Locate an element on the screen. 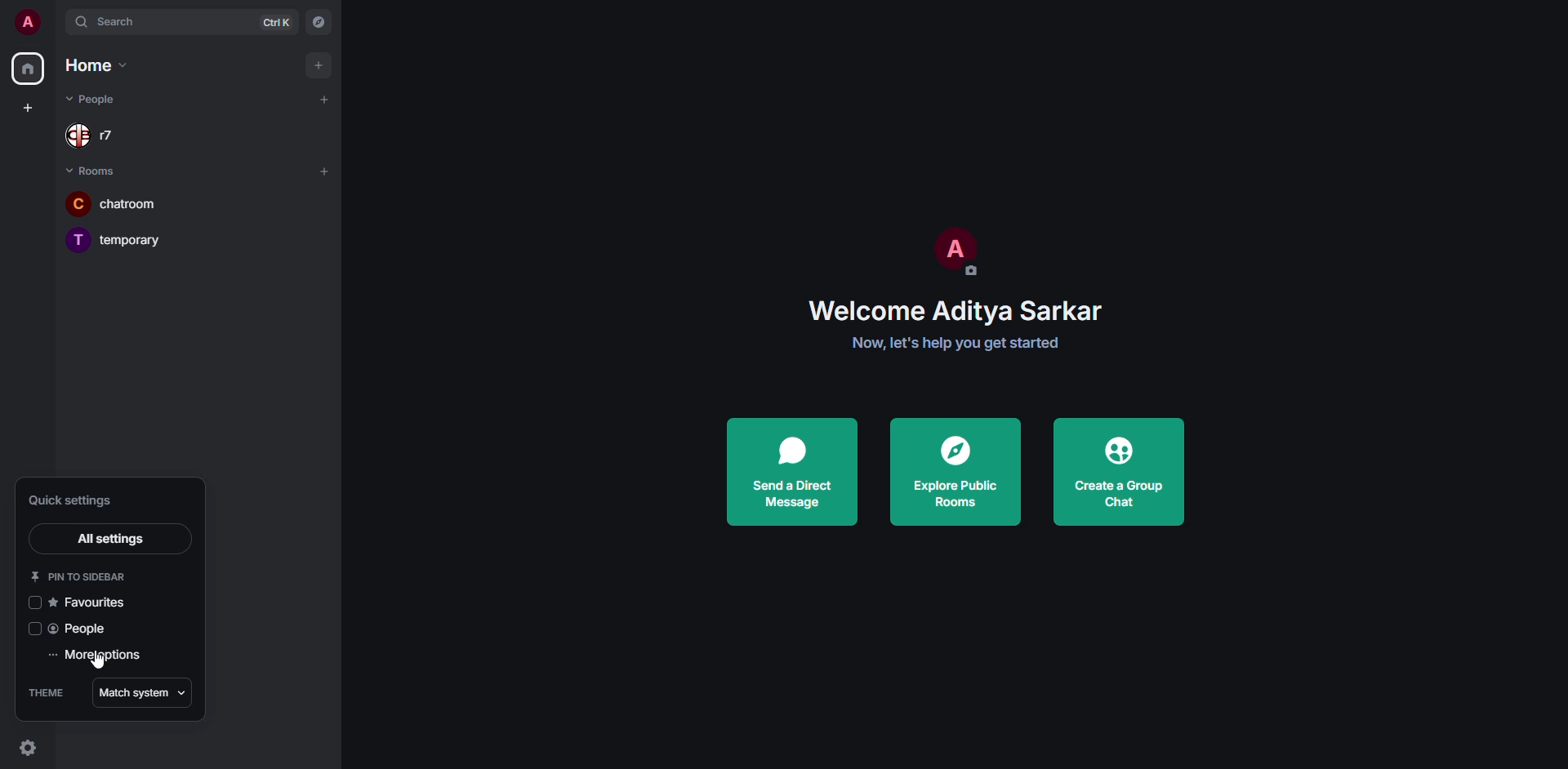 This screenshot has width=1568, height=769. welcome is located at coordinates (954, 310).